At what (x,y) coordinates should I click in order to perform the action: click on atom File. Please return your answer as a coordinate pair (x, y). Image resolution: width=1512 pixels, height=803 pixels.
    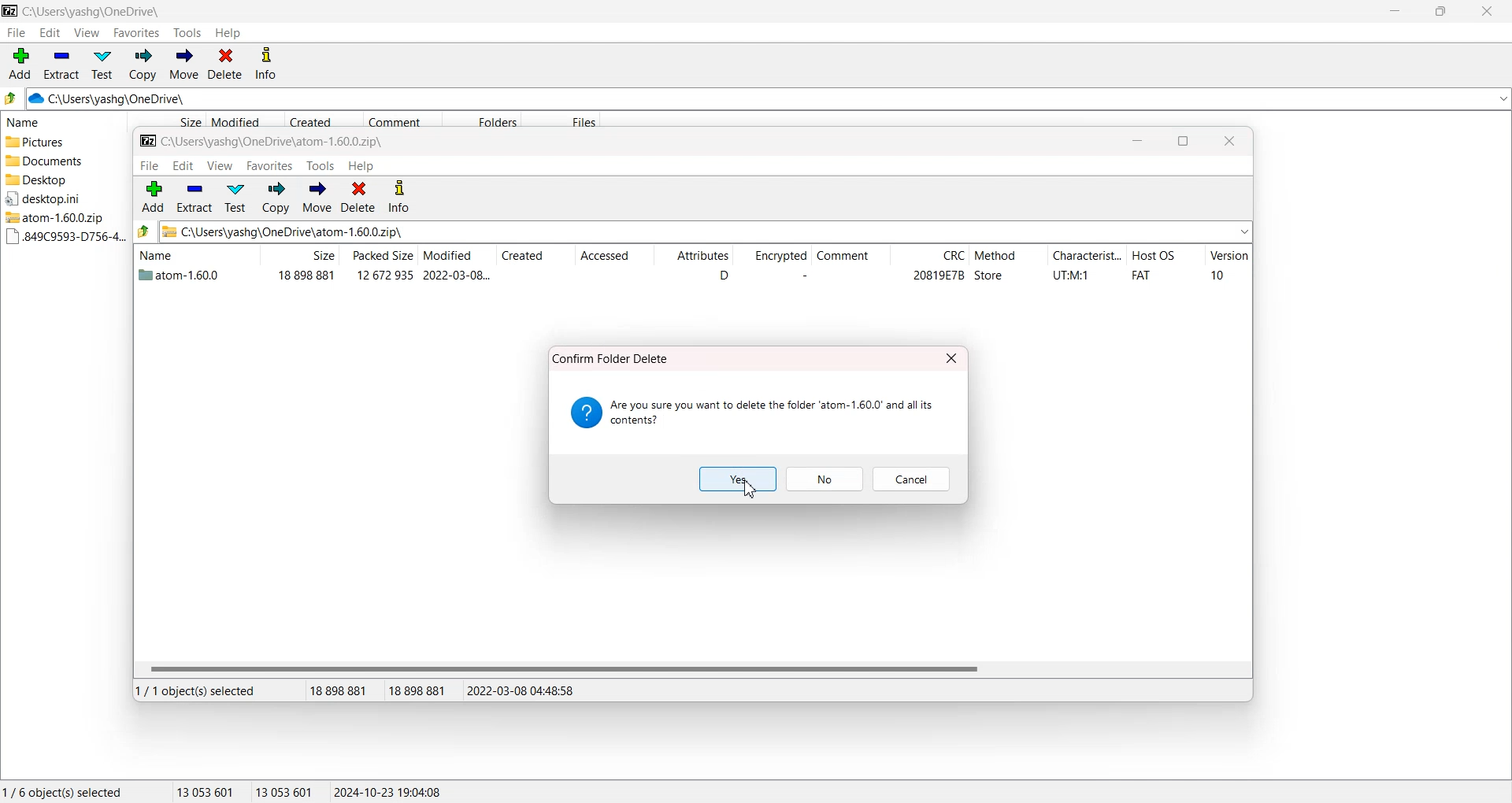
    Looking at the image, I should click on (181, 277).